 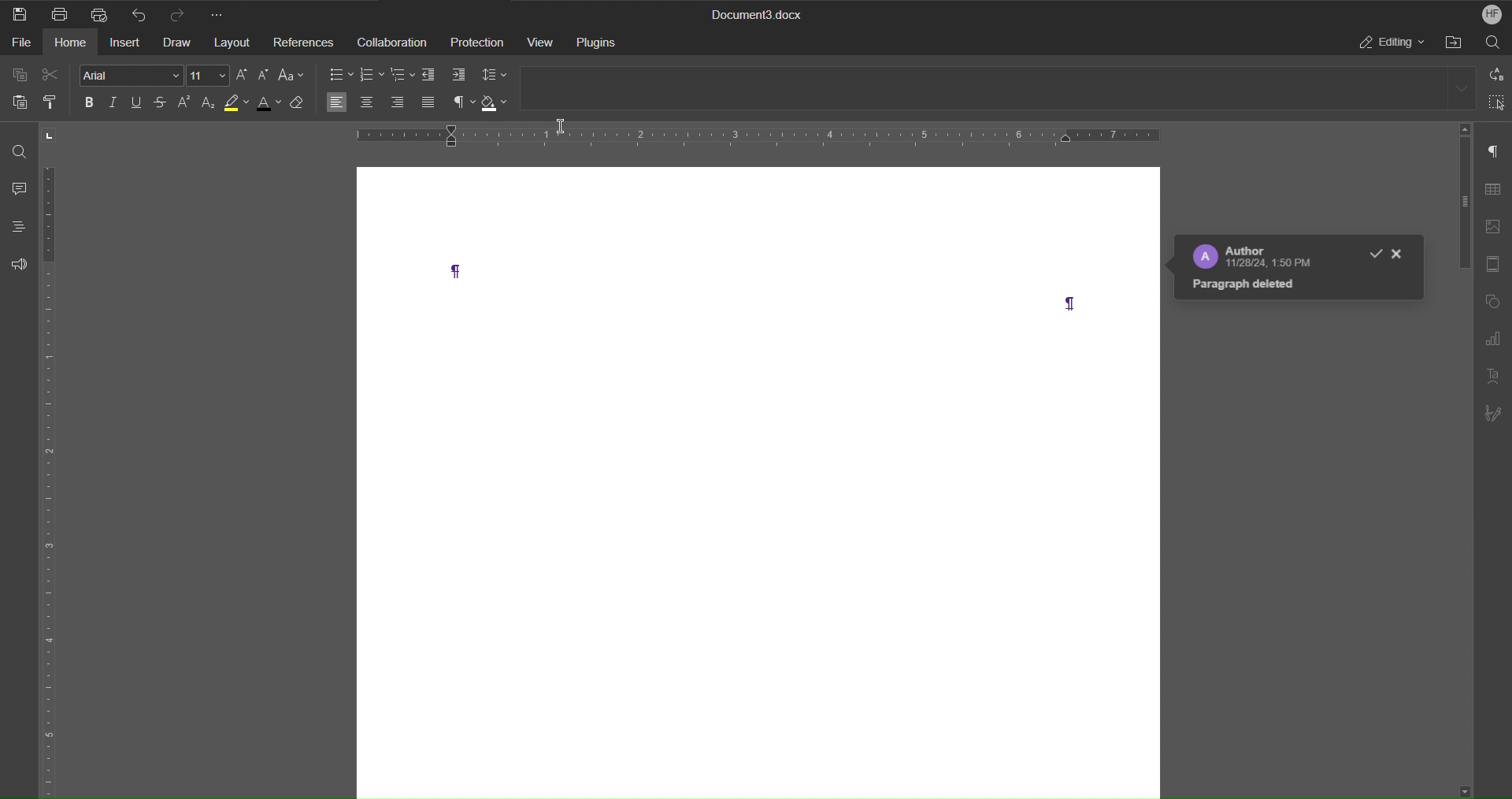 What do you see at coordinates (1496, 222) in the screenshot?
I see `Image Settings` at bounding box center [1496, 222].